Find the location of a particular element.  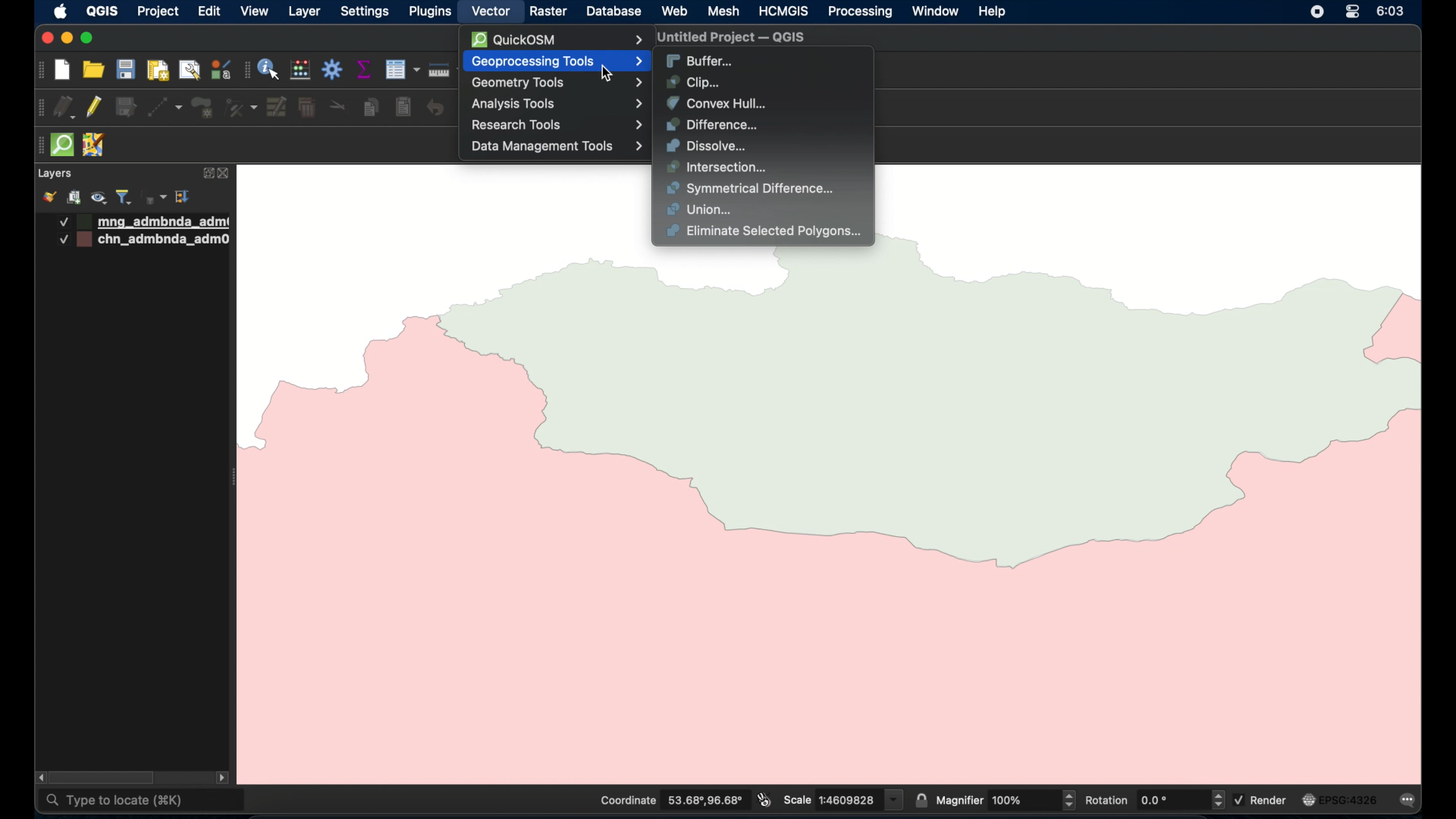

vertex tool is located at coordinates (241, 108).